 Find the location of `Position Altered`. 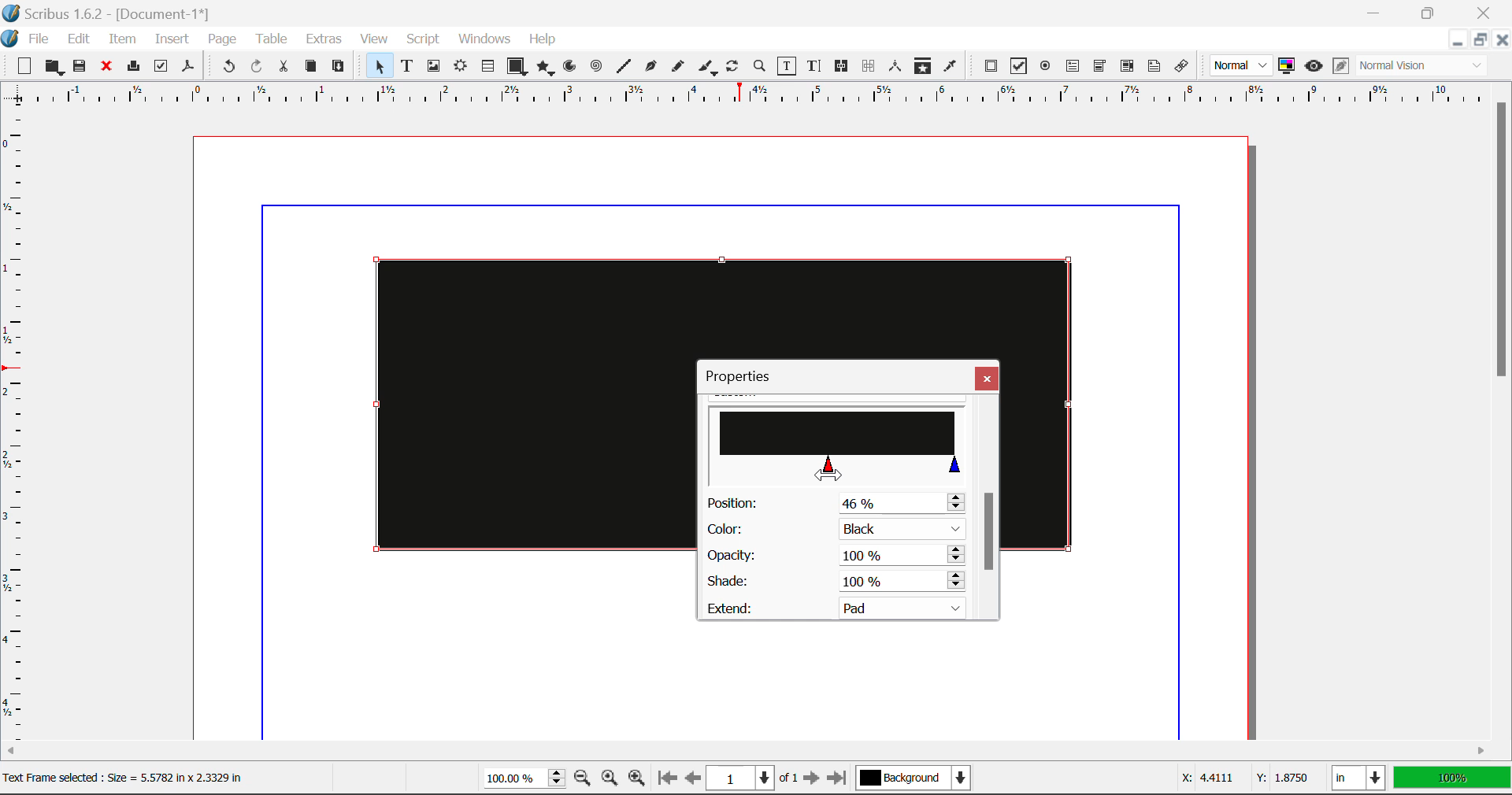

Position Altered is located at coordinates (839, 503).